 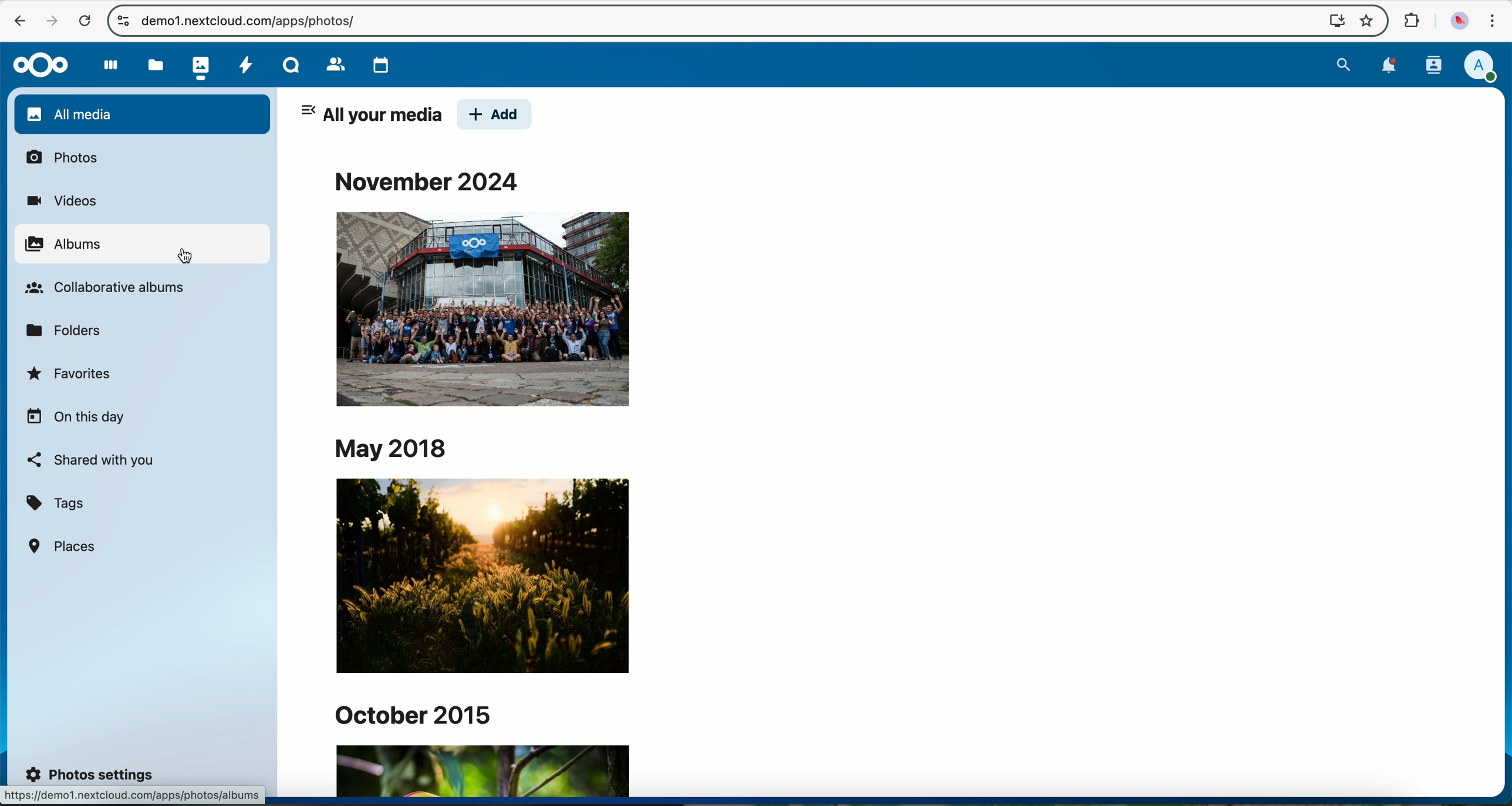 What do you see at coordinates (253, 21) in the screenshot?
I see `url` at bounding box center [253, 21].